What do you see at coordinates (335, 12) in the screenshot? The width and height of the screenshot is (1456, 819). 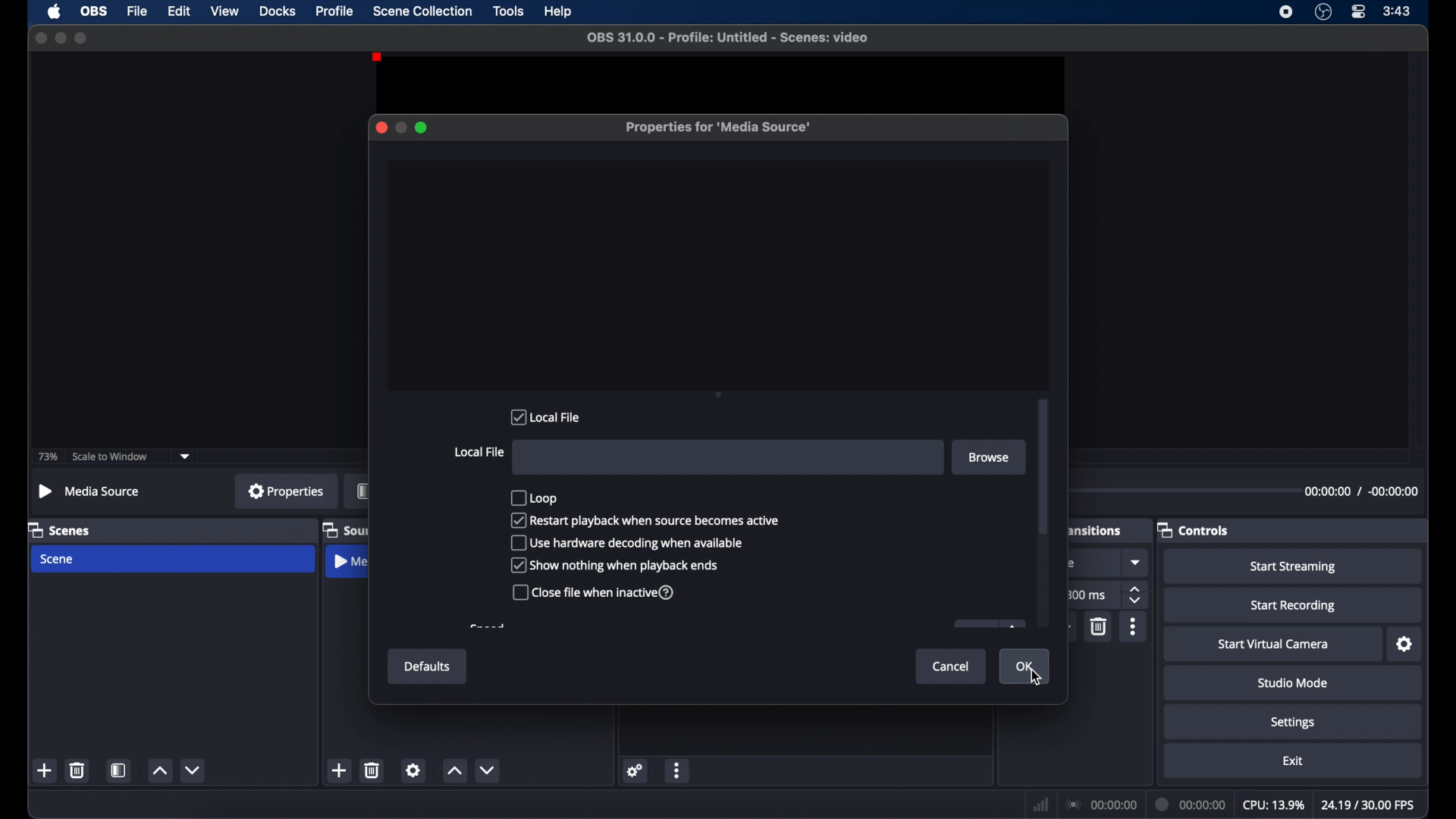 I see `profile` at bounding box center [335, 12].